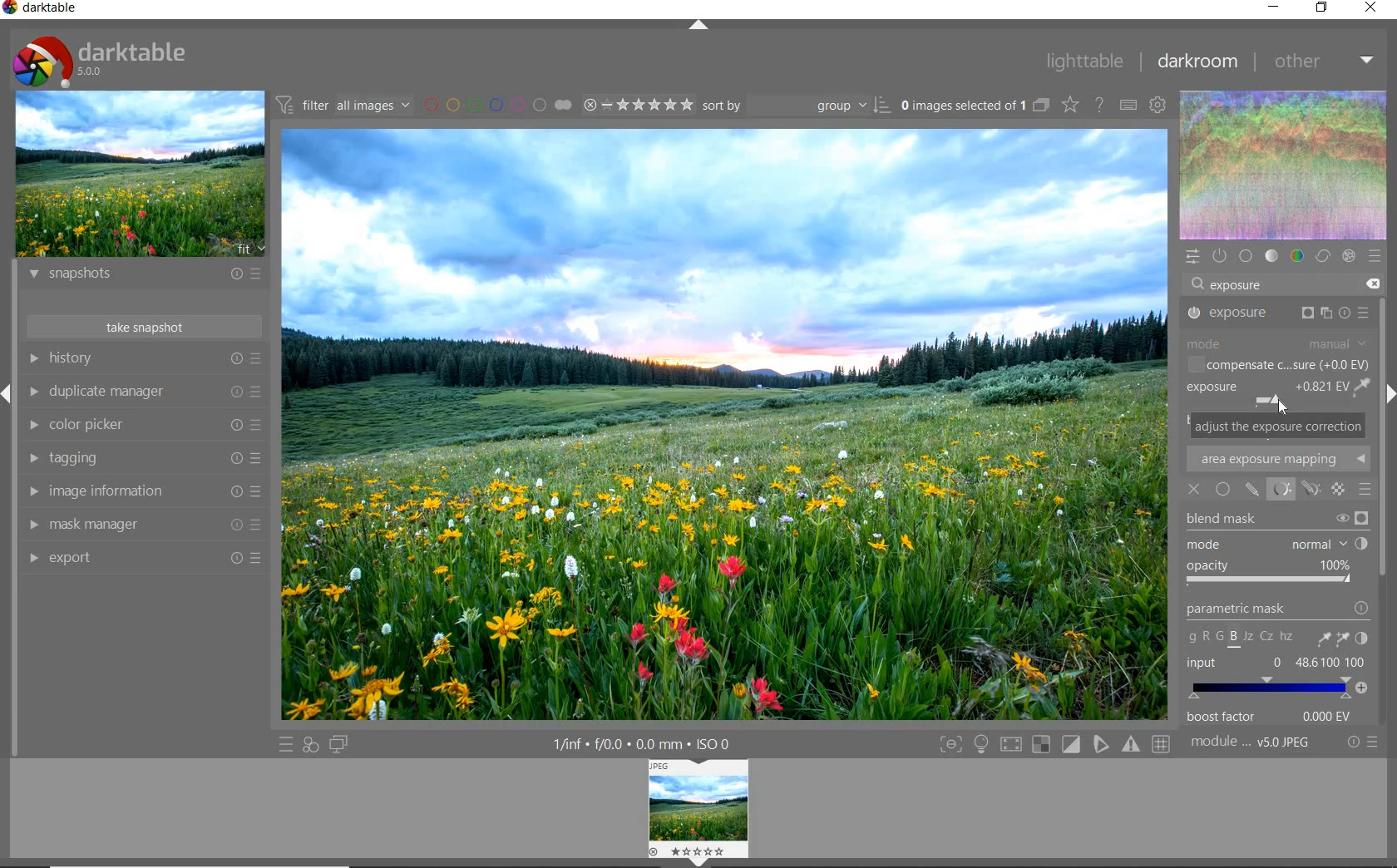 The image size is (1397, 868). What do you see at coordinates (640, 106) in the screenshot?
I see `range rating of selected images` at bounding box center [640, 106].